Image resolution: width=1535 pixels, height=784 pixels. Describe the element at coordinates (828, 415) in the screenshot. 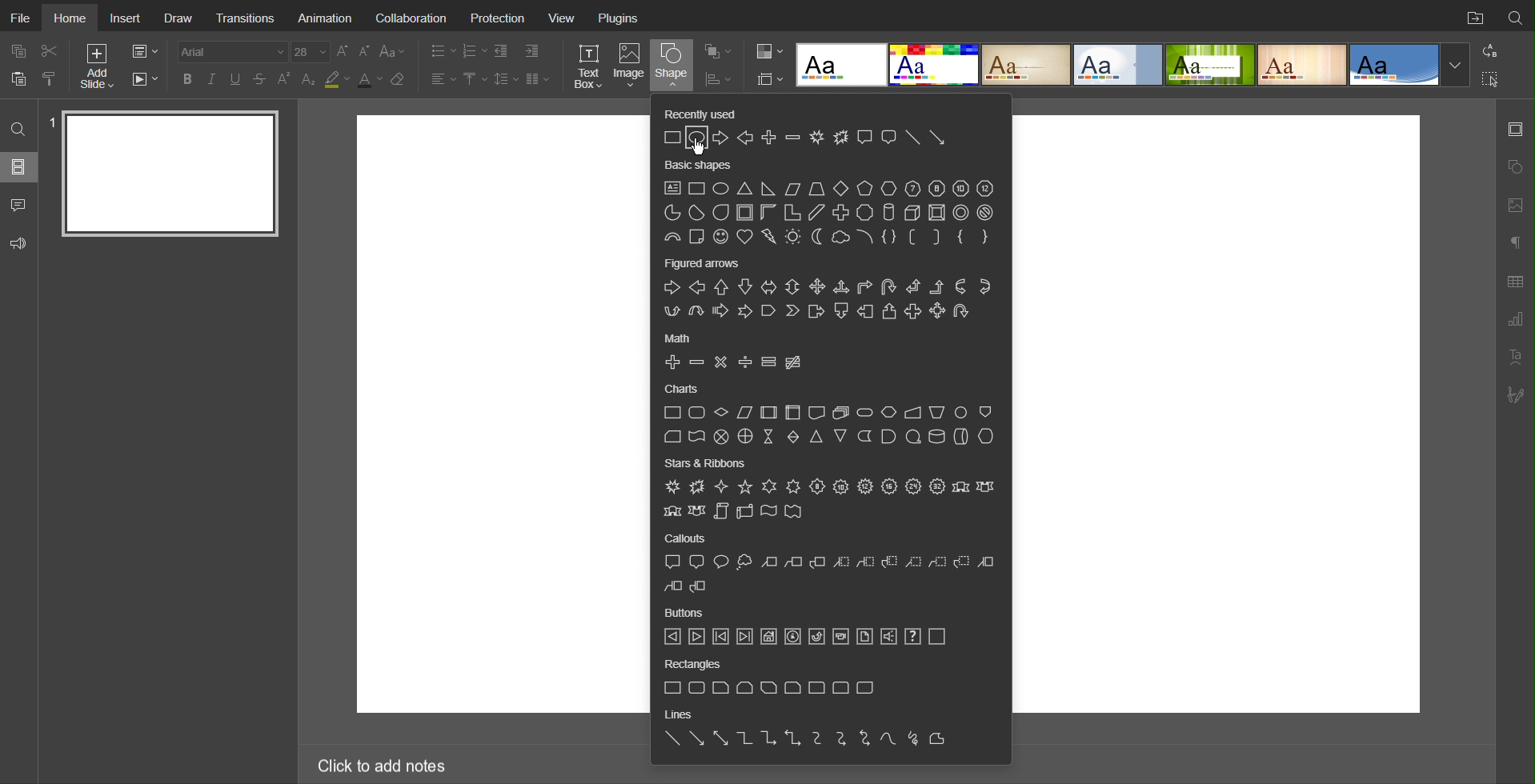

I see `Charts ` at that location.